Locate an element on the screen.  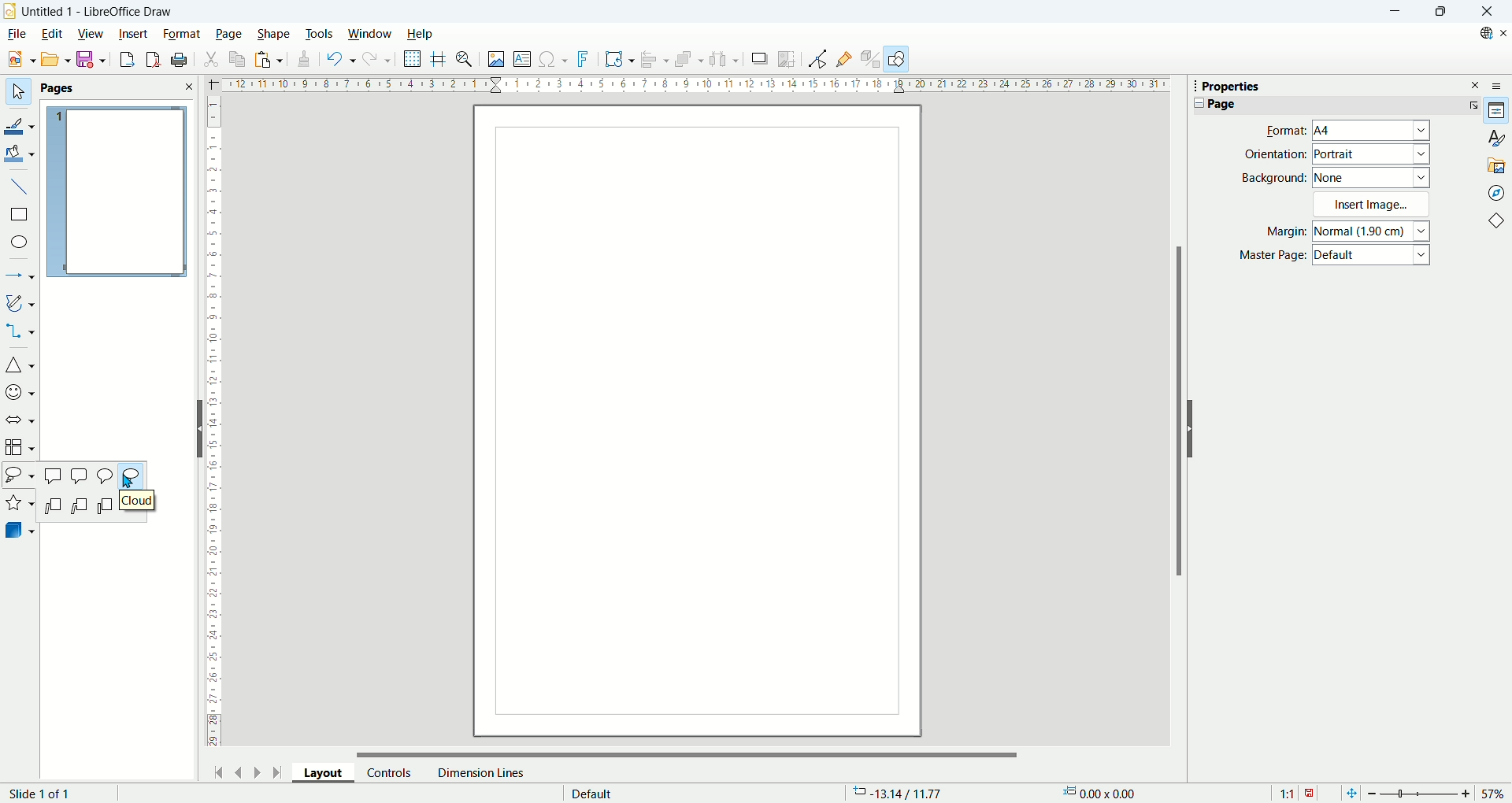
layout is located at coordinates (329, 775).